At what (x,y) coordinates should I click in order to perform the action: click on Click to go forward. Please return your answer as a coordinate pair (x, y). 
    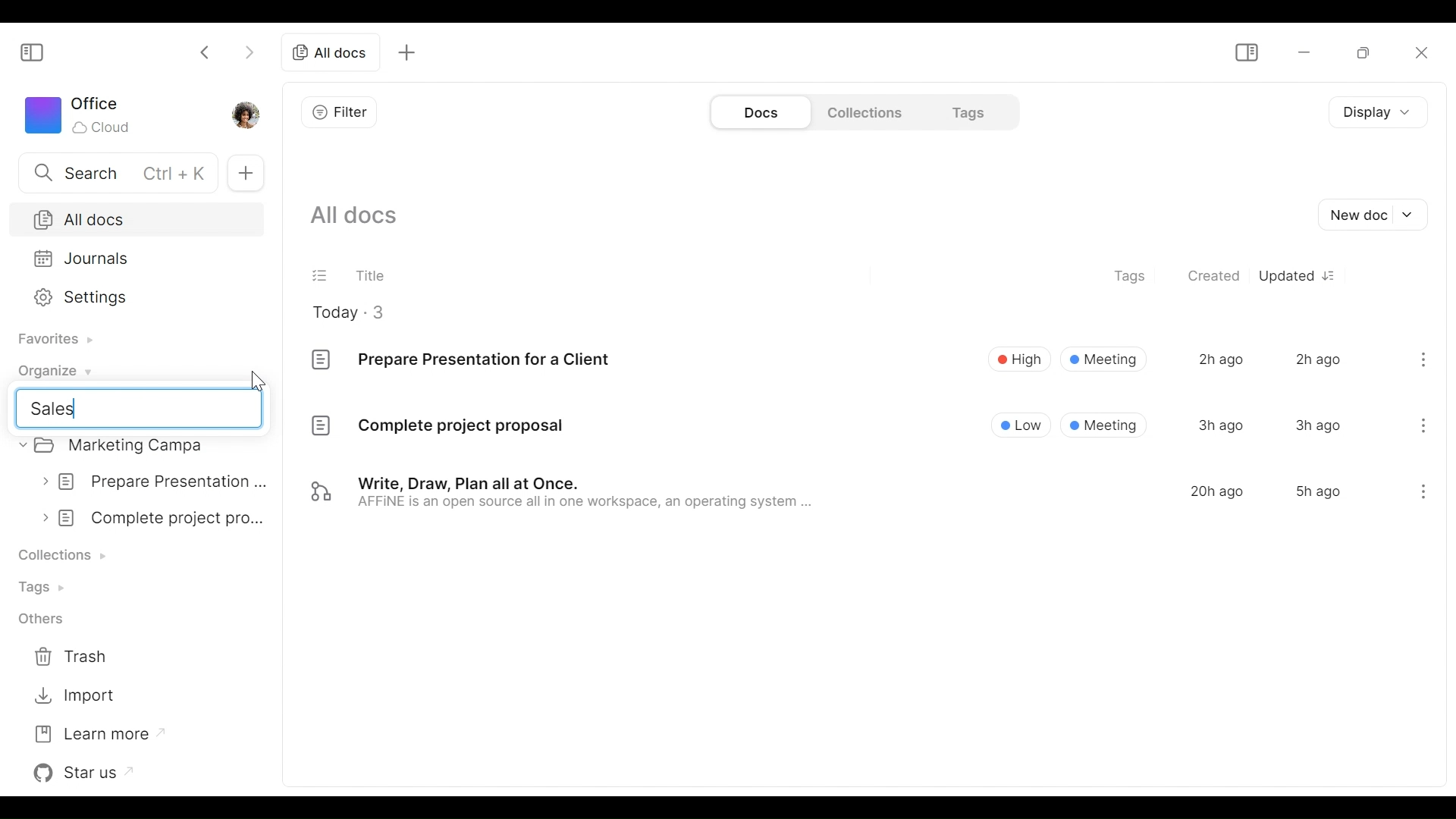
    Looking at the image, I should click on (245, 53).